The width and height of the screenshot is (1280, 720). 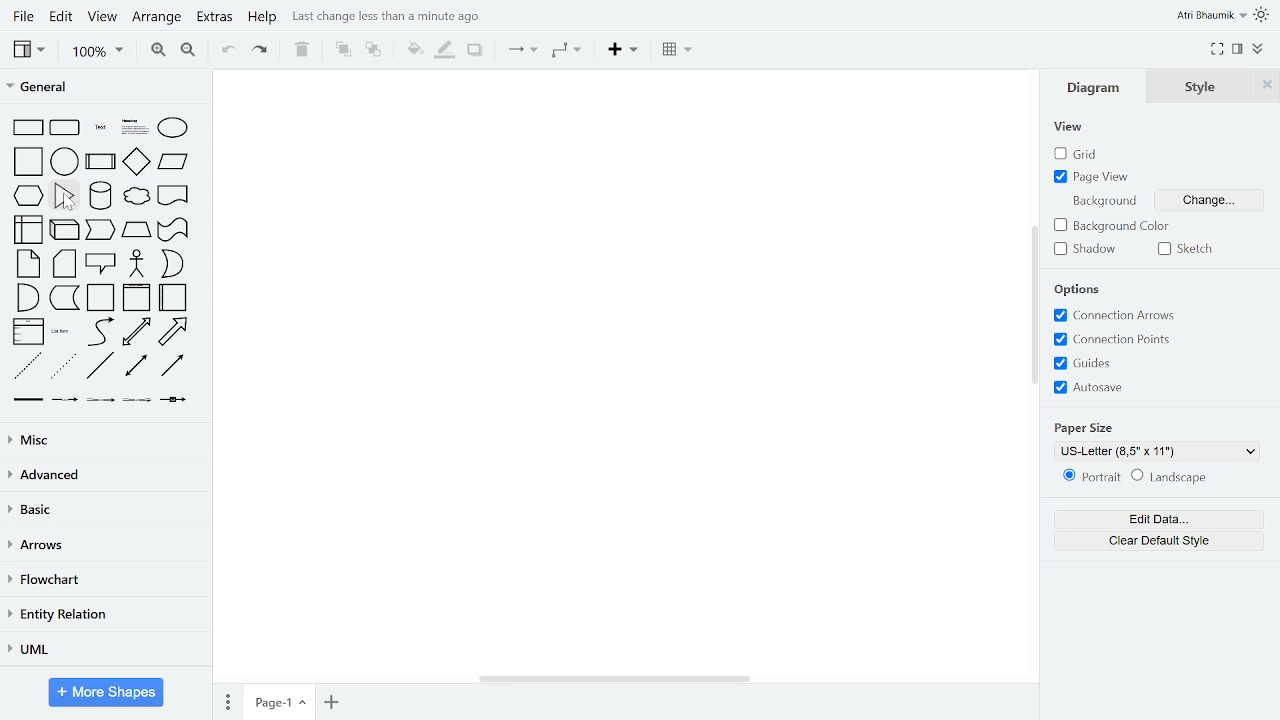 What do you see at coordinates (1218, 47) in the screenshot?
I see `full screen` at bounding box center [1218, 47].